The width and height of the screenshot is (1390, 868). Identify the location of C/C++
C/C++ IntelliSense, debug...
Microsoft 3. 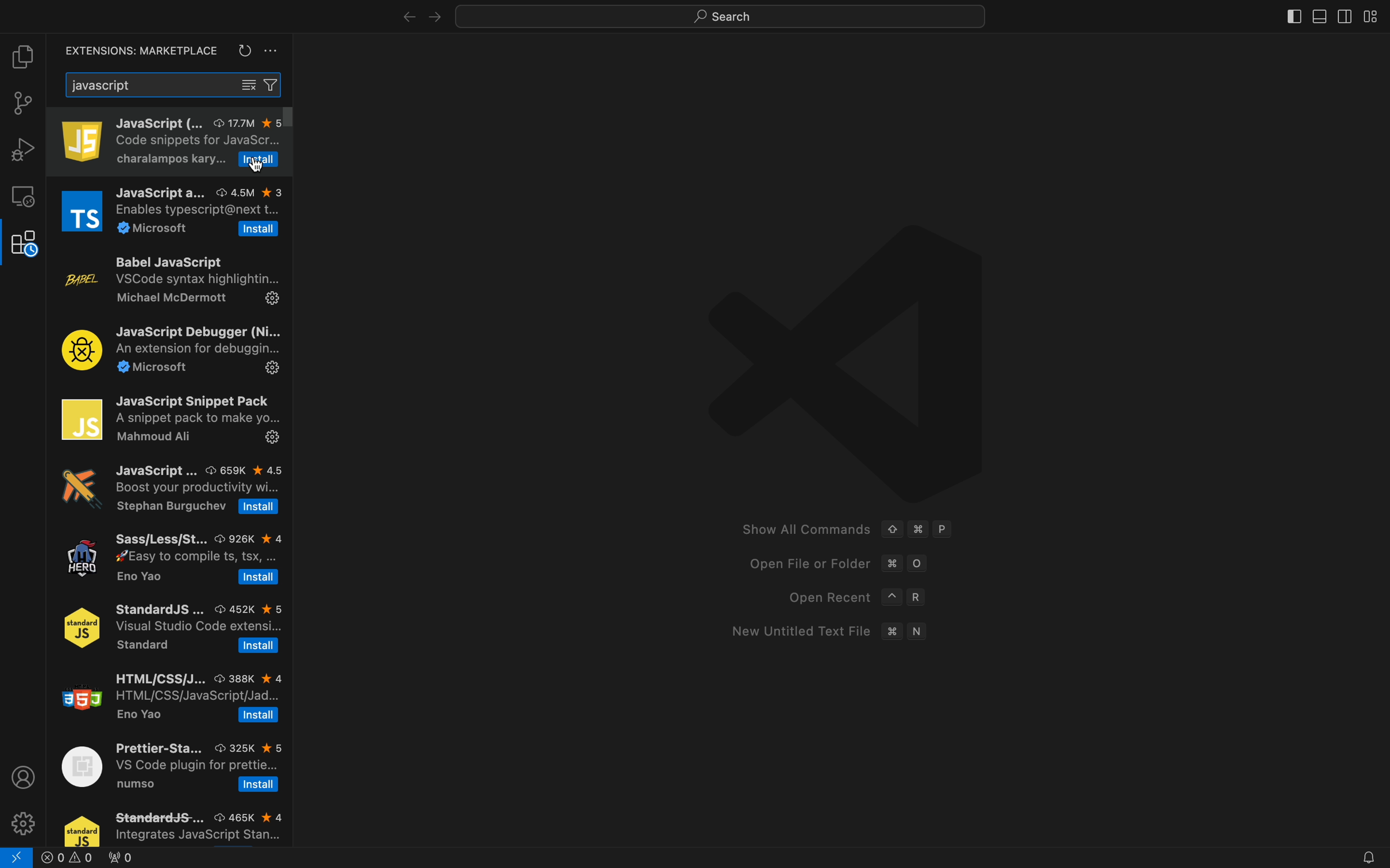
(167, 560).